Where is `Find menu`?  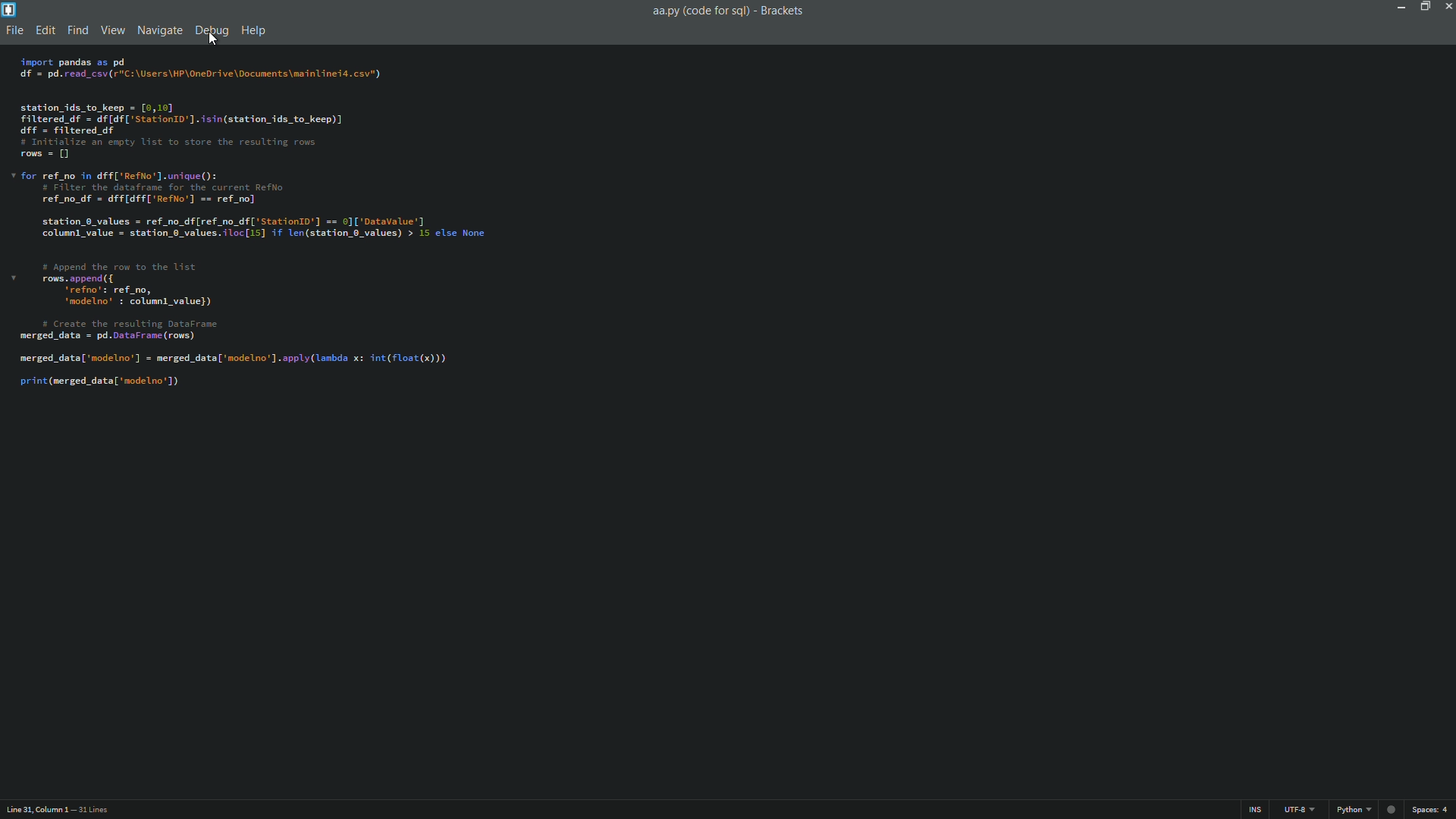 Find menu is located at coordinates (76, 30).